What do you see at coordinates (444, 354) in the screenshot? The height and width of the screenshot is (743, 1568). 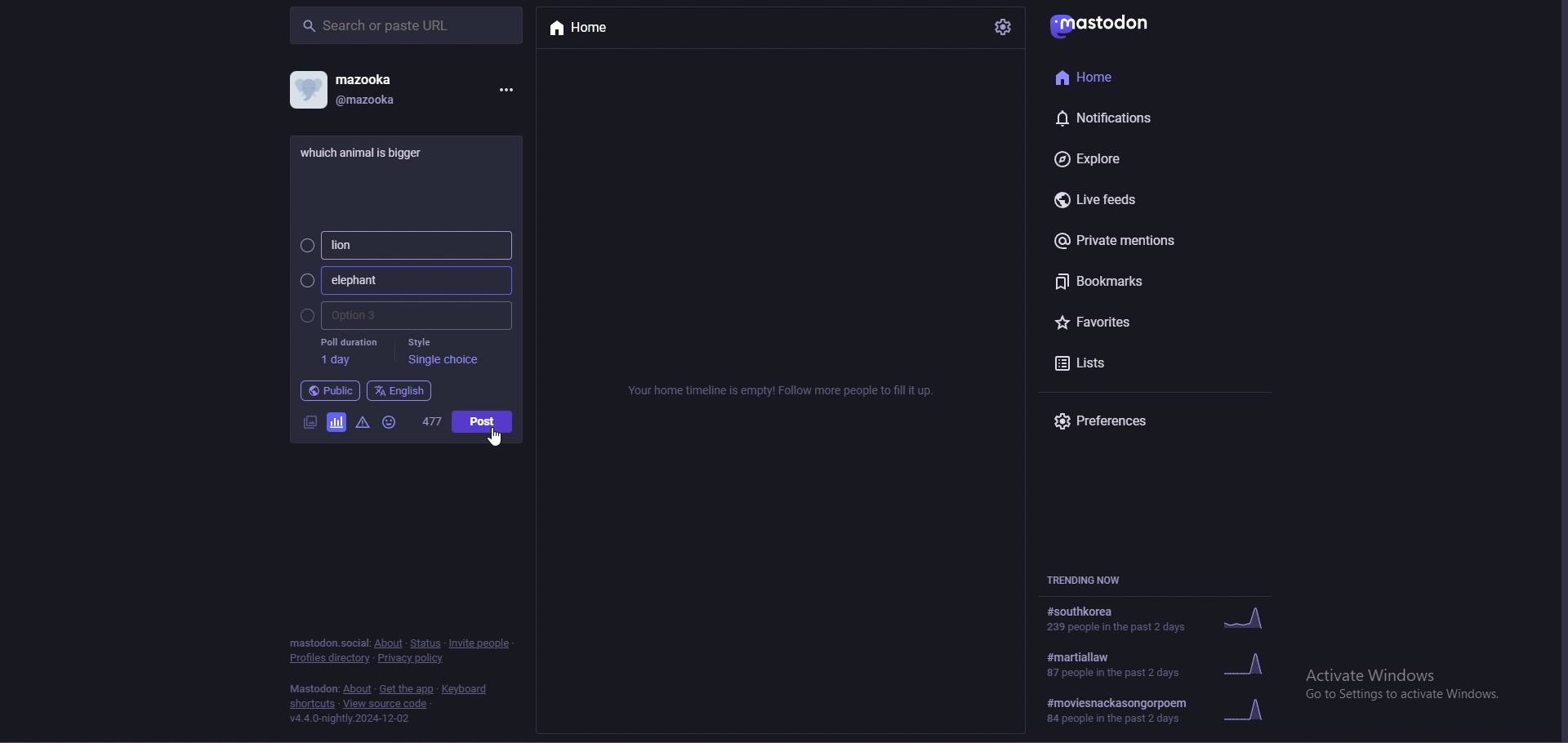 I see `style` at bounding box center [444, 354].